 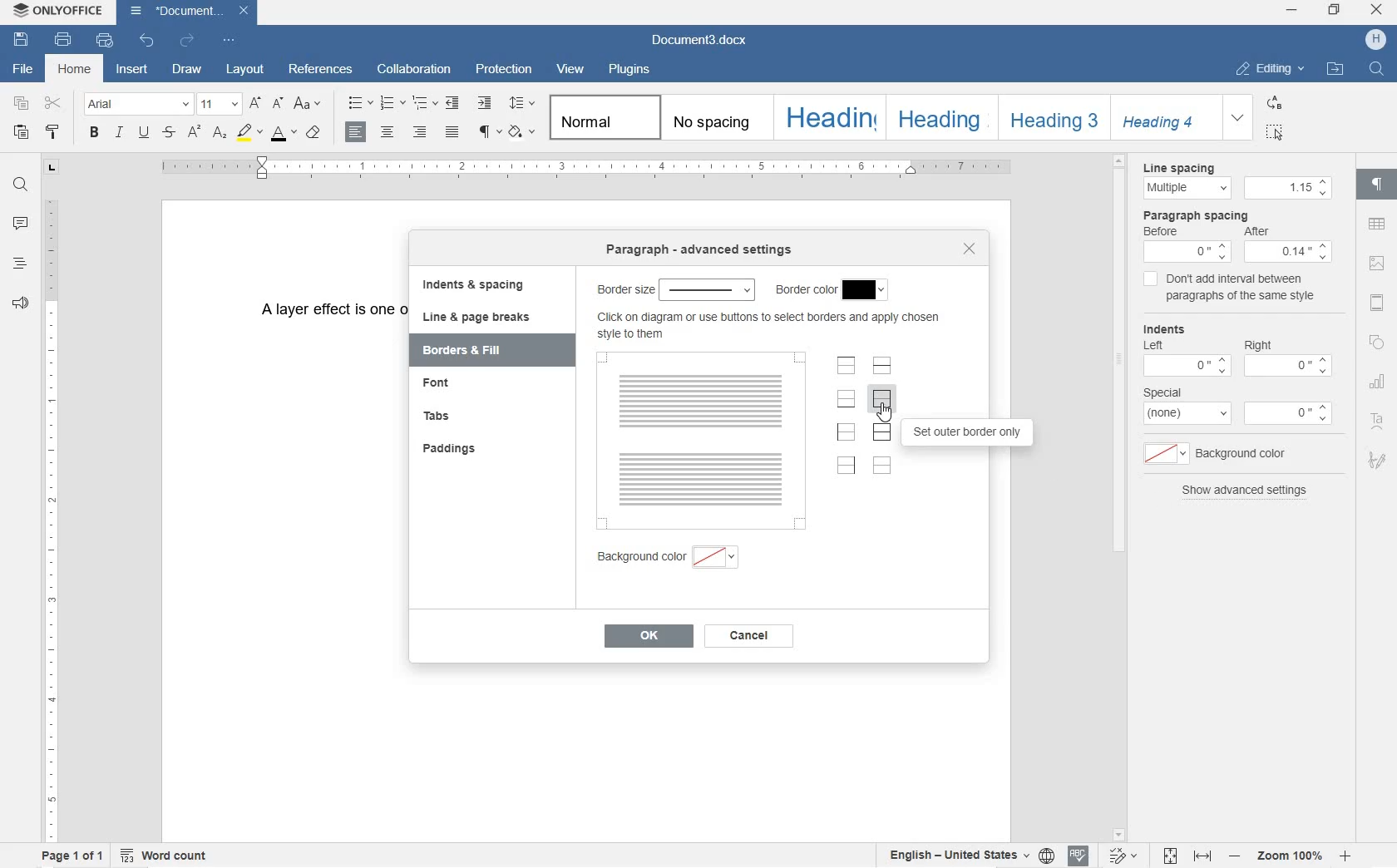 I want to click on TRACK CHANGES, so click(x=1127, y=853).